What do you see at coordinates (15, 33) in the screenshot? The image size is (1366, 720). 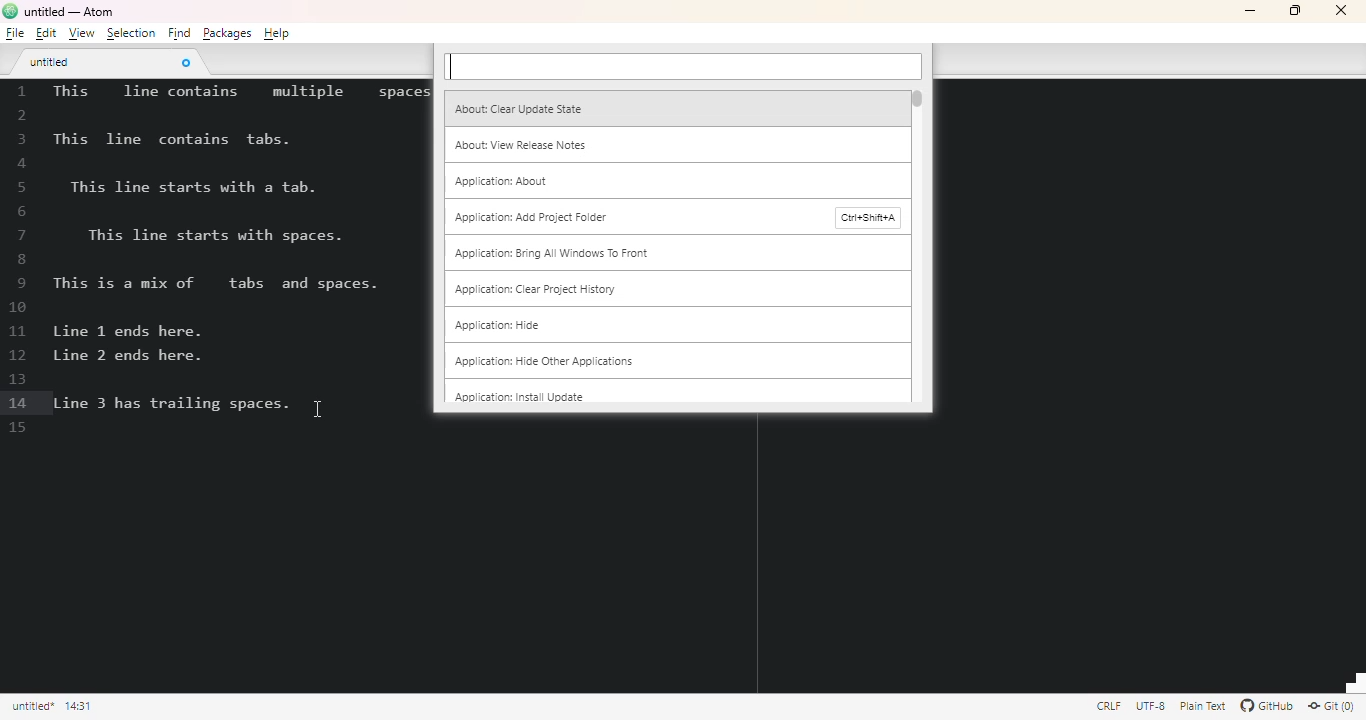 I see `file` at bounding box center [15, 33].